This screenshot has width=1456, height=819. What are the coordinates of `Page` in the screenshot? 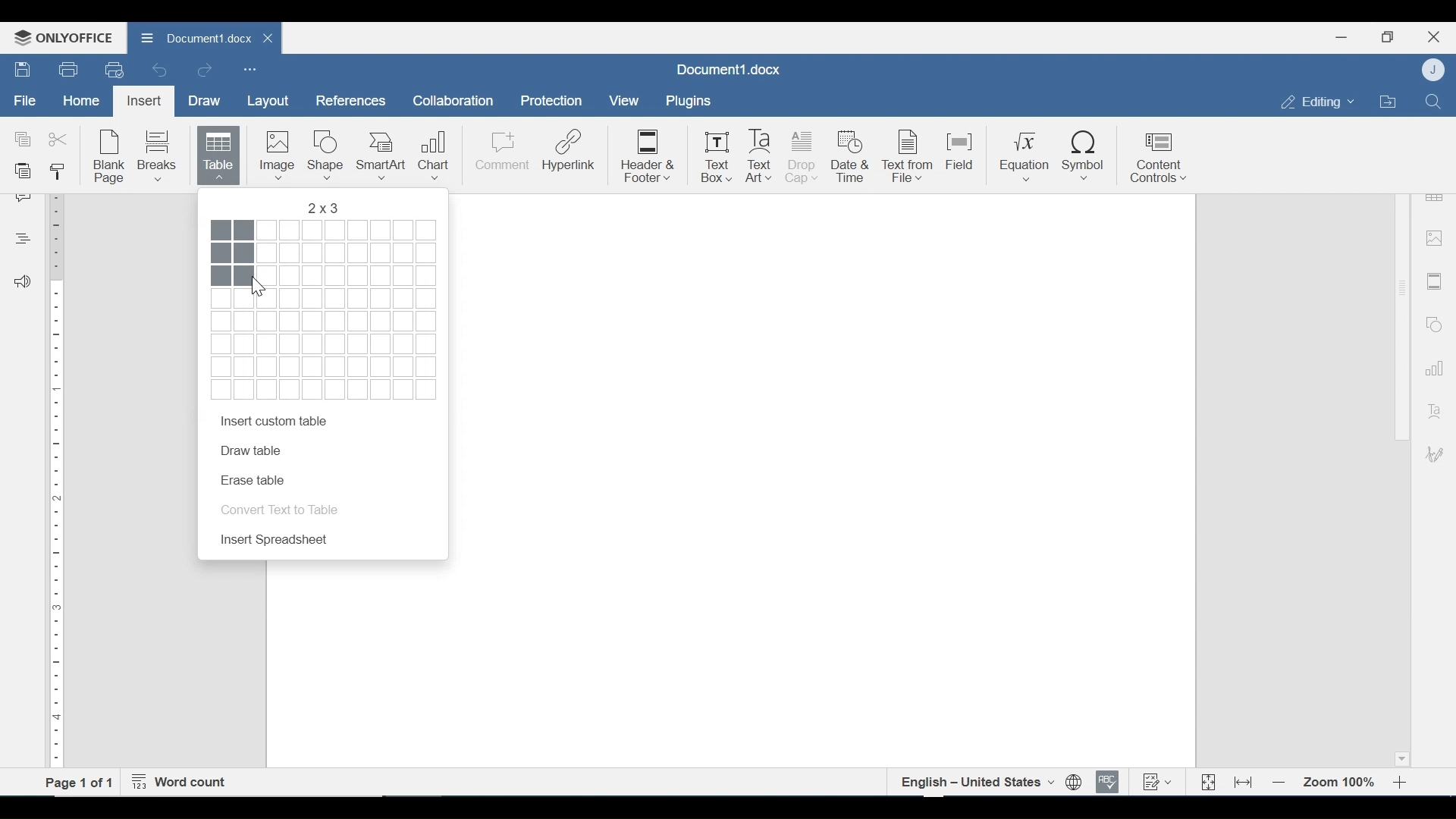 It's located at (824, 482).